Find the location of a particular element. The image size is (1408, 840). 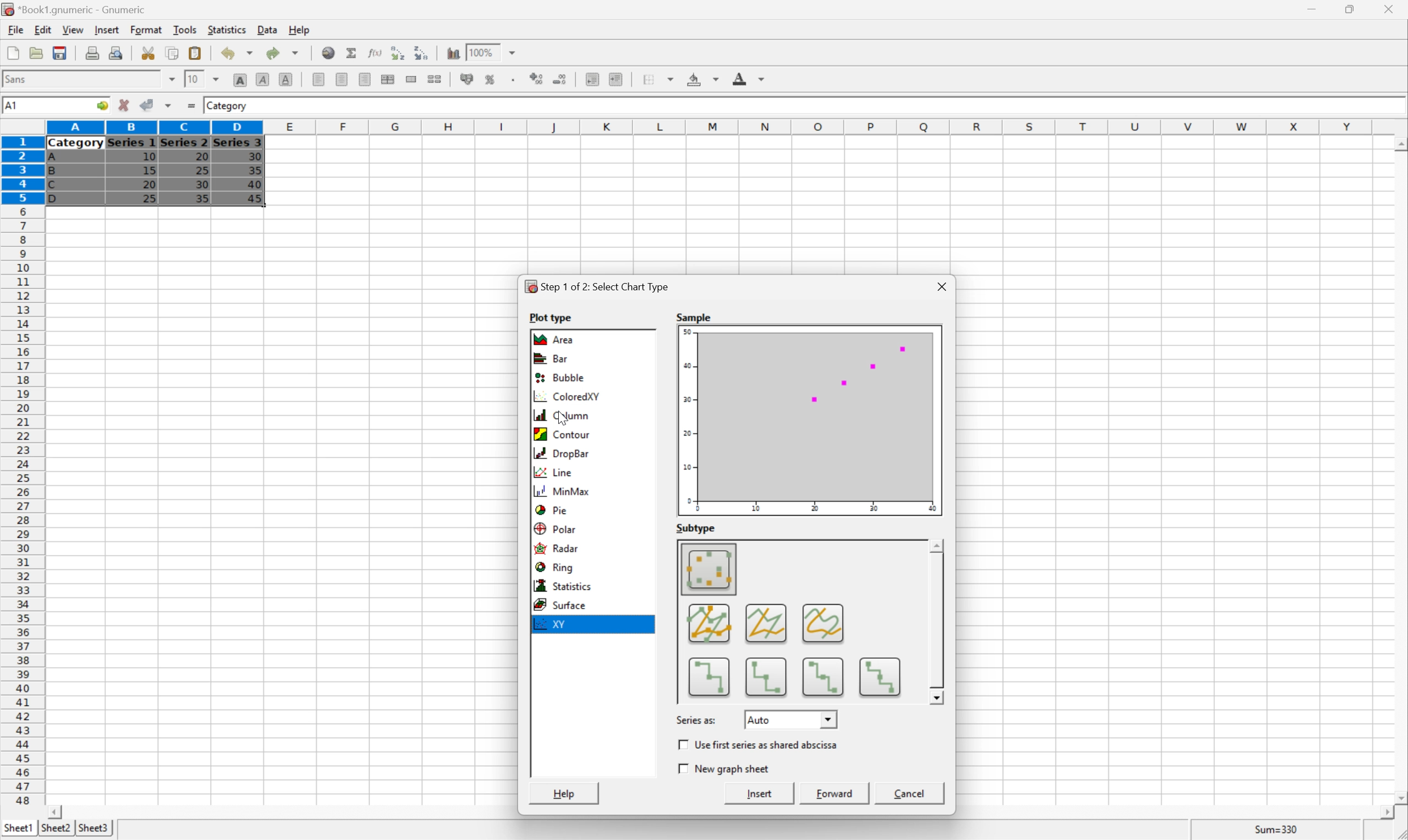

Sum in current cell is located at coordinates (353, 53).